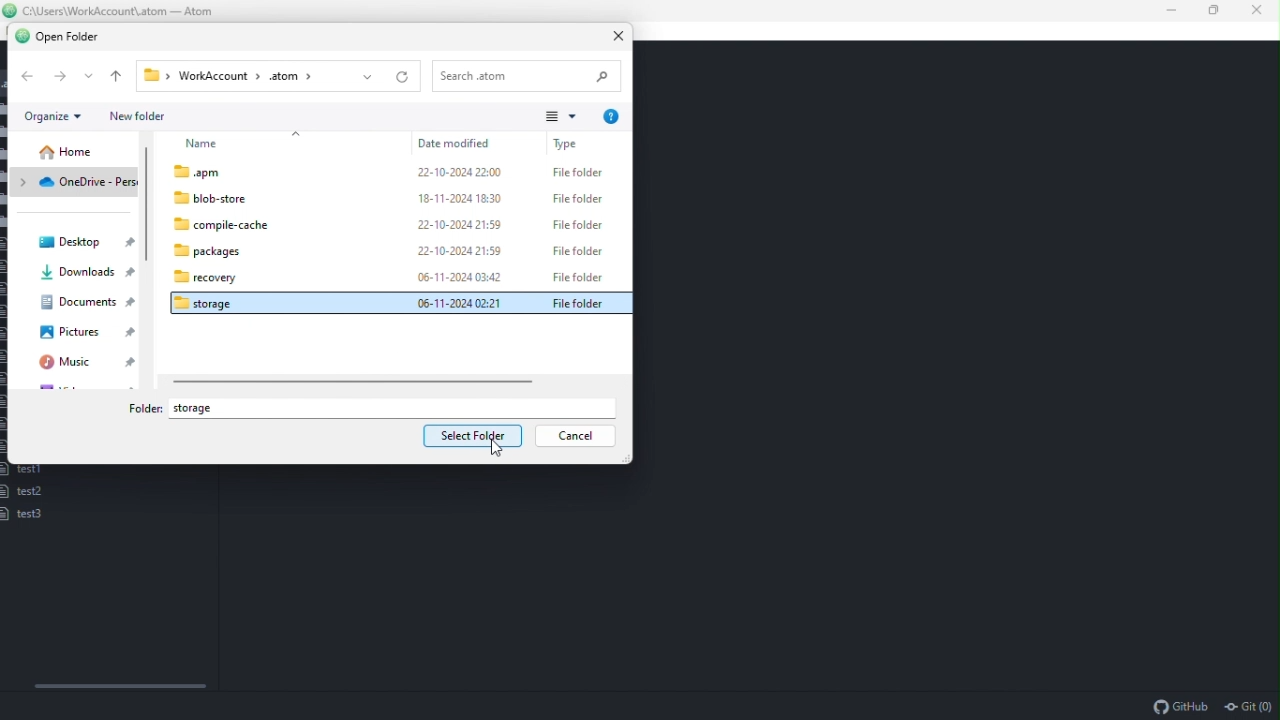 This screenshot has width=1280, height=720. I want to click on Workaccount -> .atom (file path), so click(280, 76).